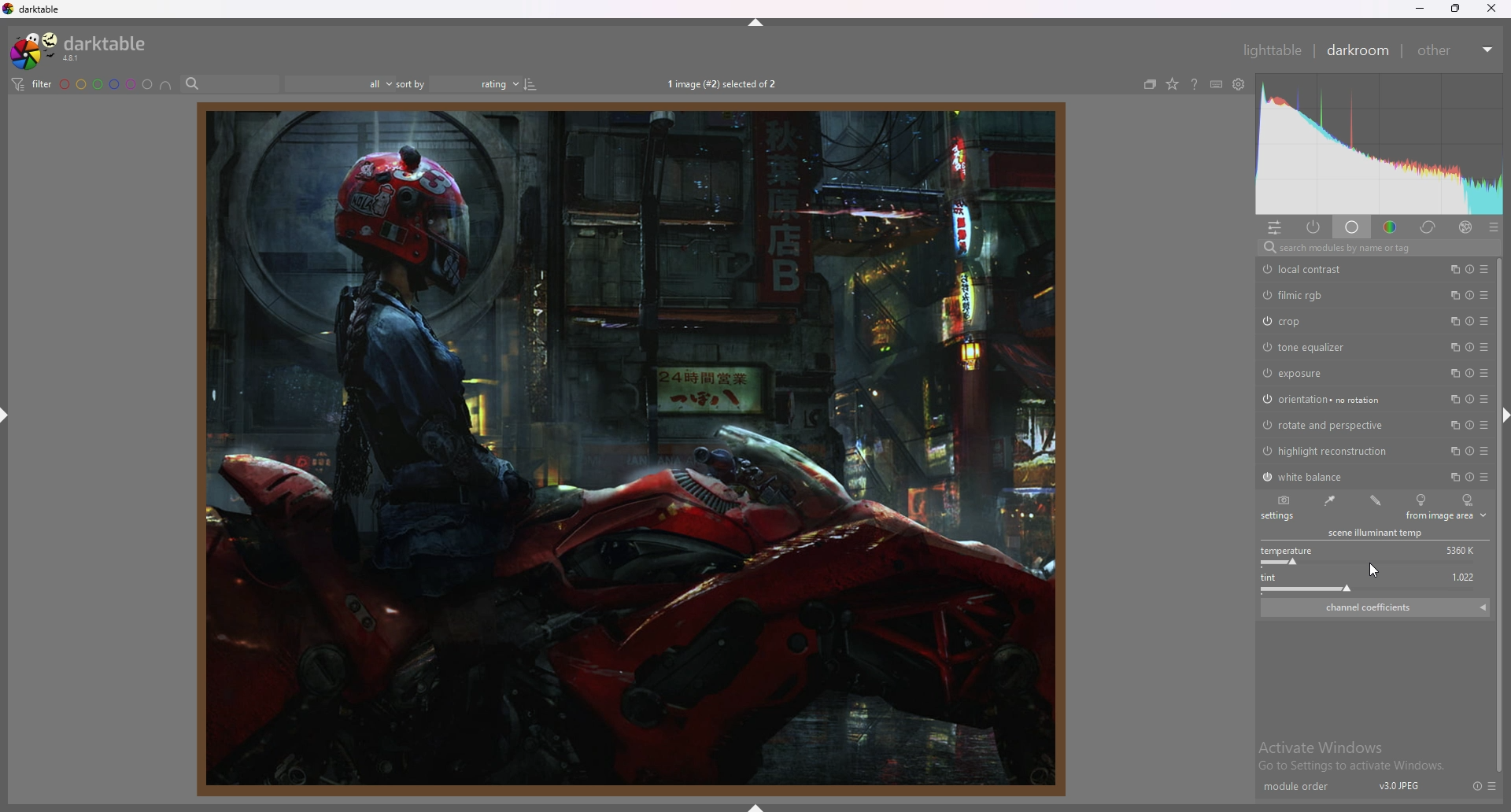  What do you see at coordinates (1471, 400) in the screenshot?
I see `reset` at bounding box center [1471, 400].